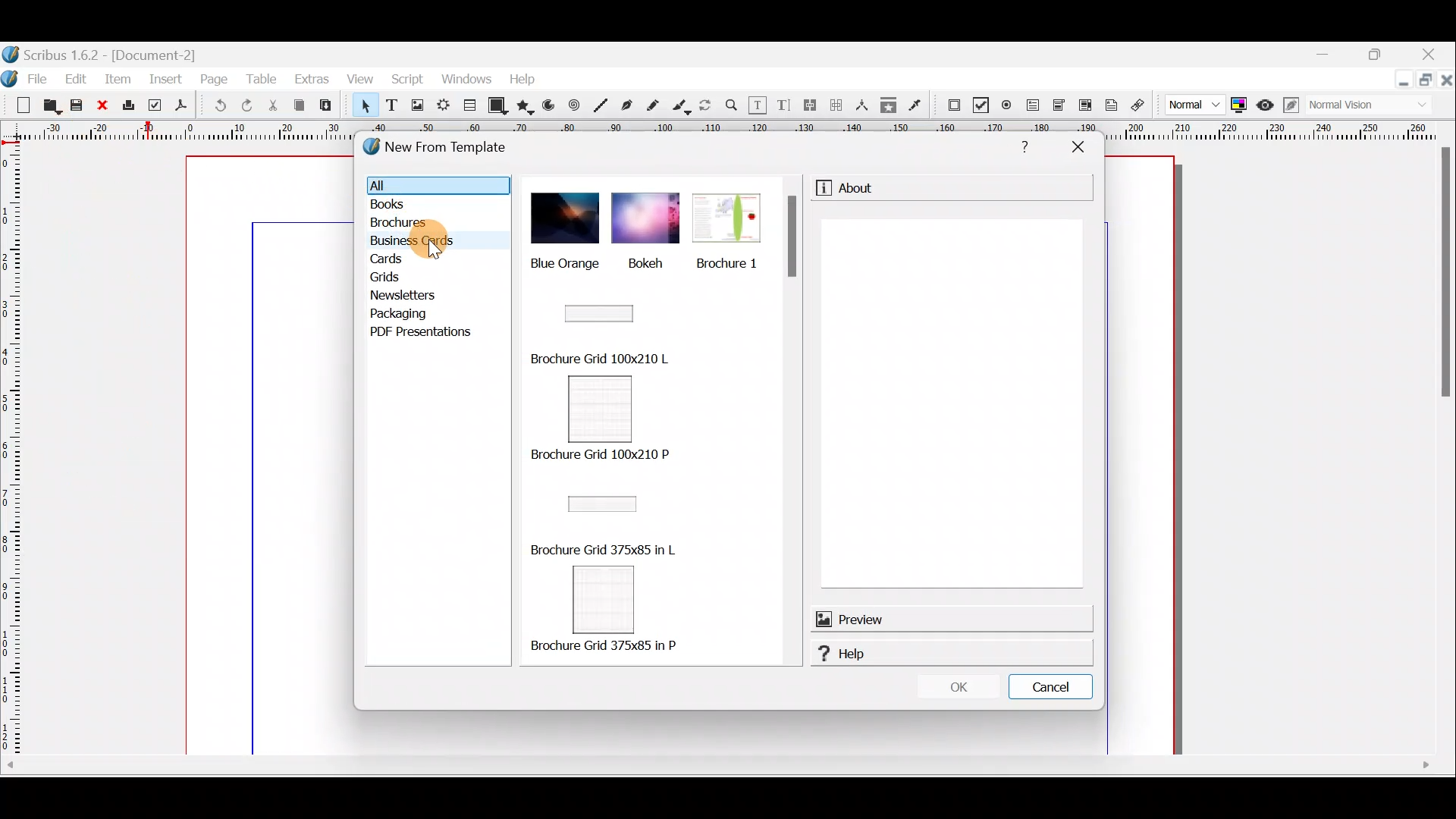 The image size is (1456, 819). I want to click on Preview, so click(950, 618).